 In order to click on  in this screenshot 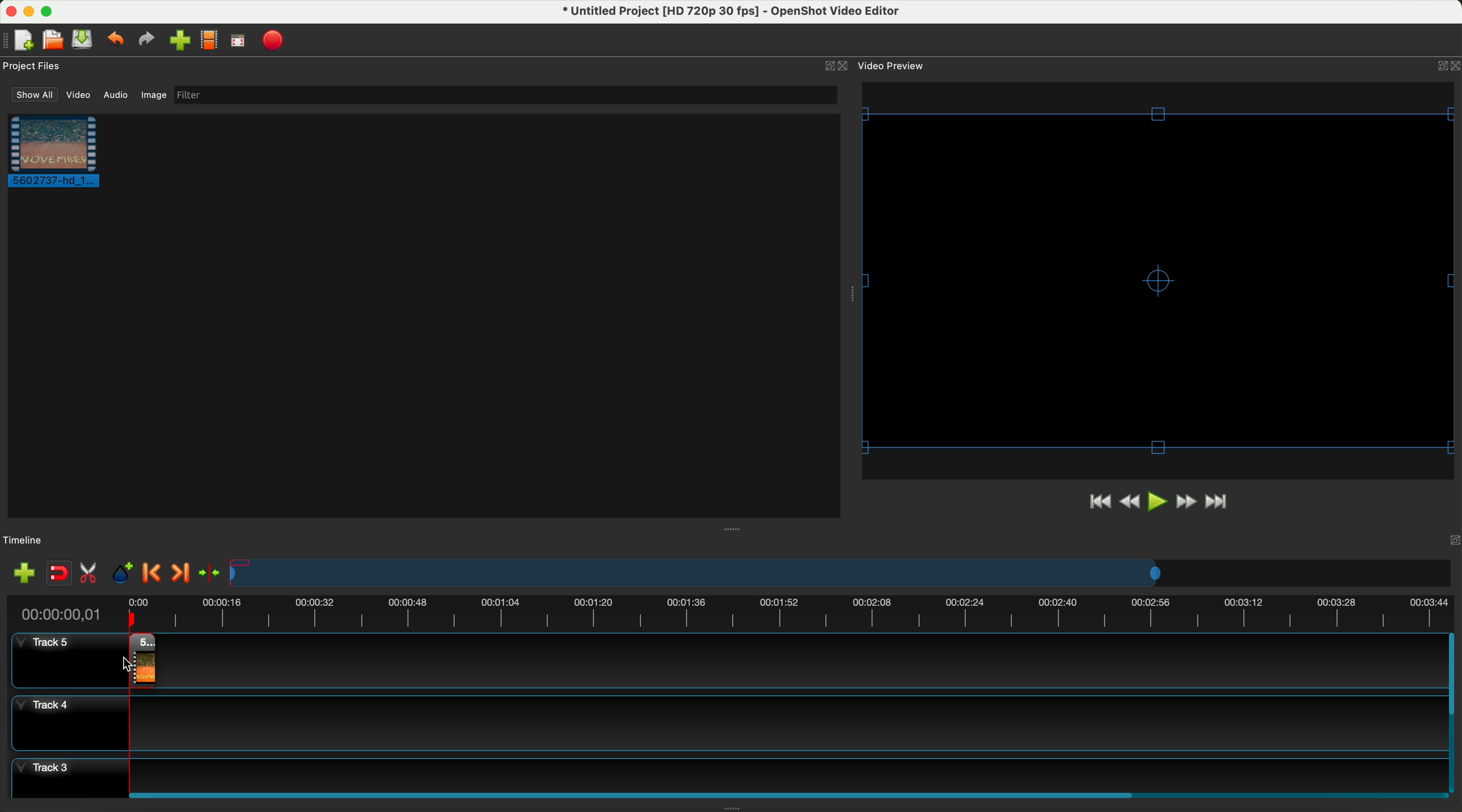, I will do `click(851, 292)`.